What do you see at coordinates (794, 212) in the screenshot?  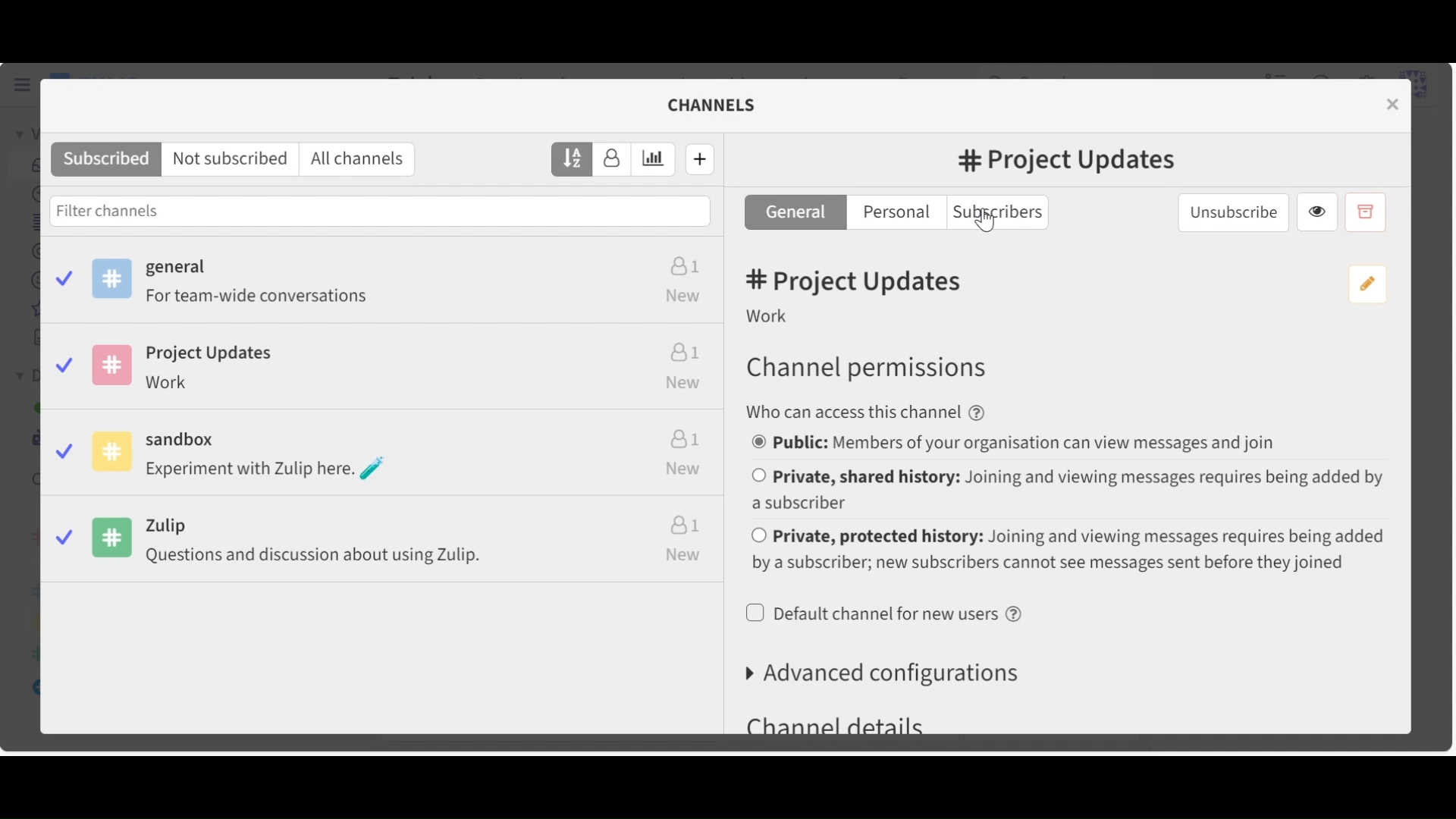 I see `General` at bounding box center [794, 212].